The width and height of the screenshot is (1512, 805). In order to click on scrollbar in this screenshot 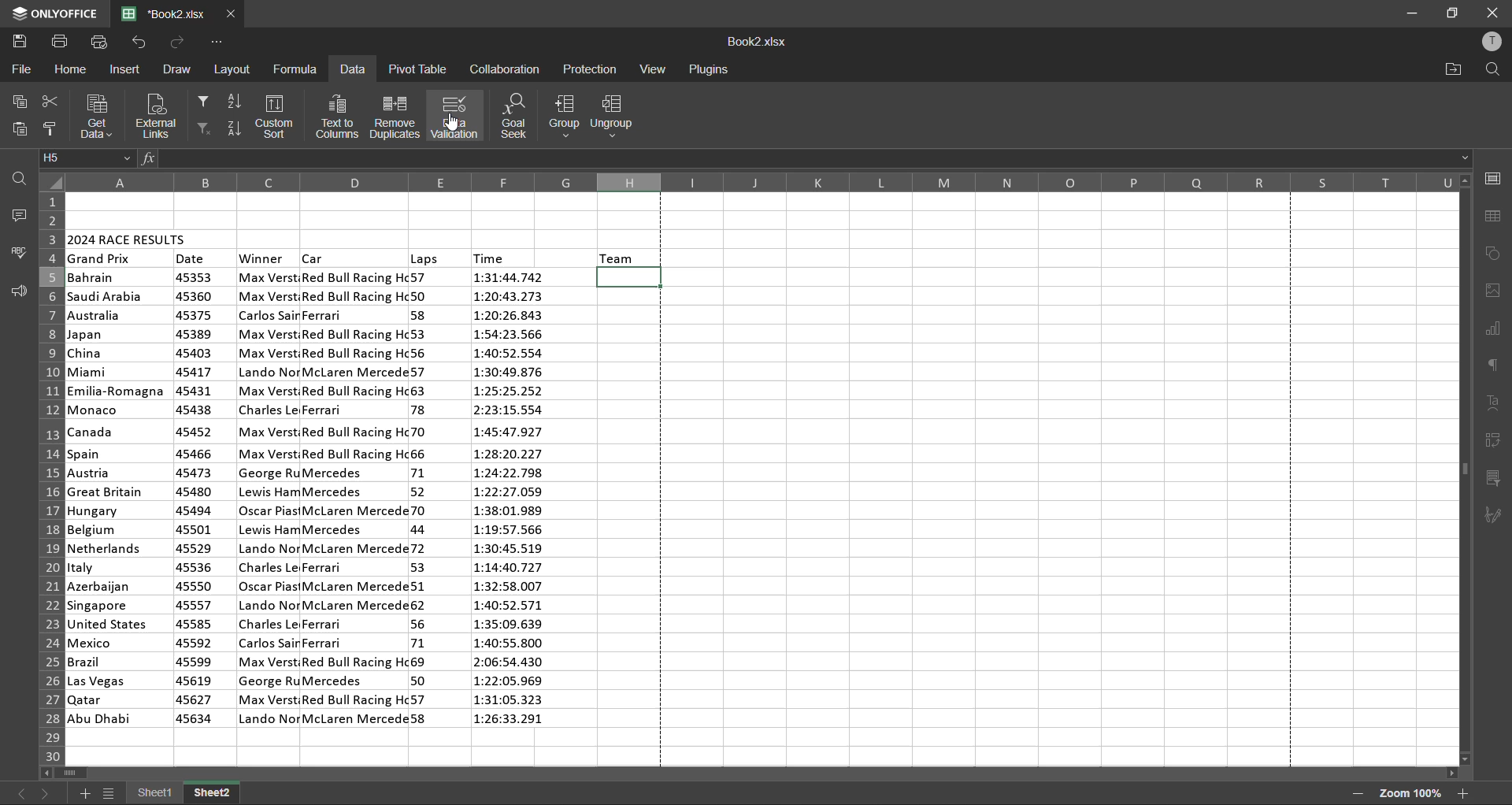, I will do `click(1465, 469)`.